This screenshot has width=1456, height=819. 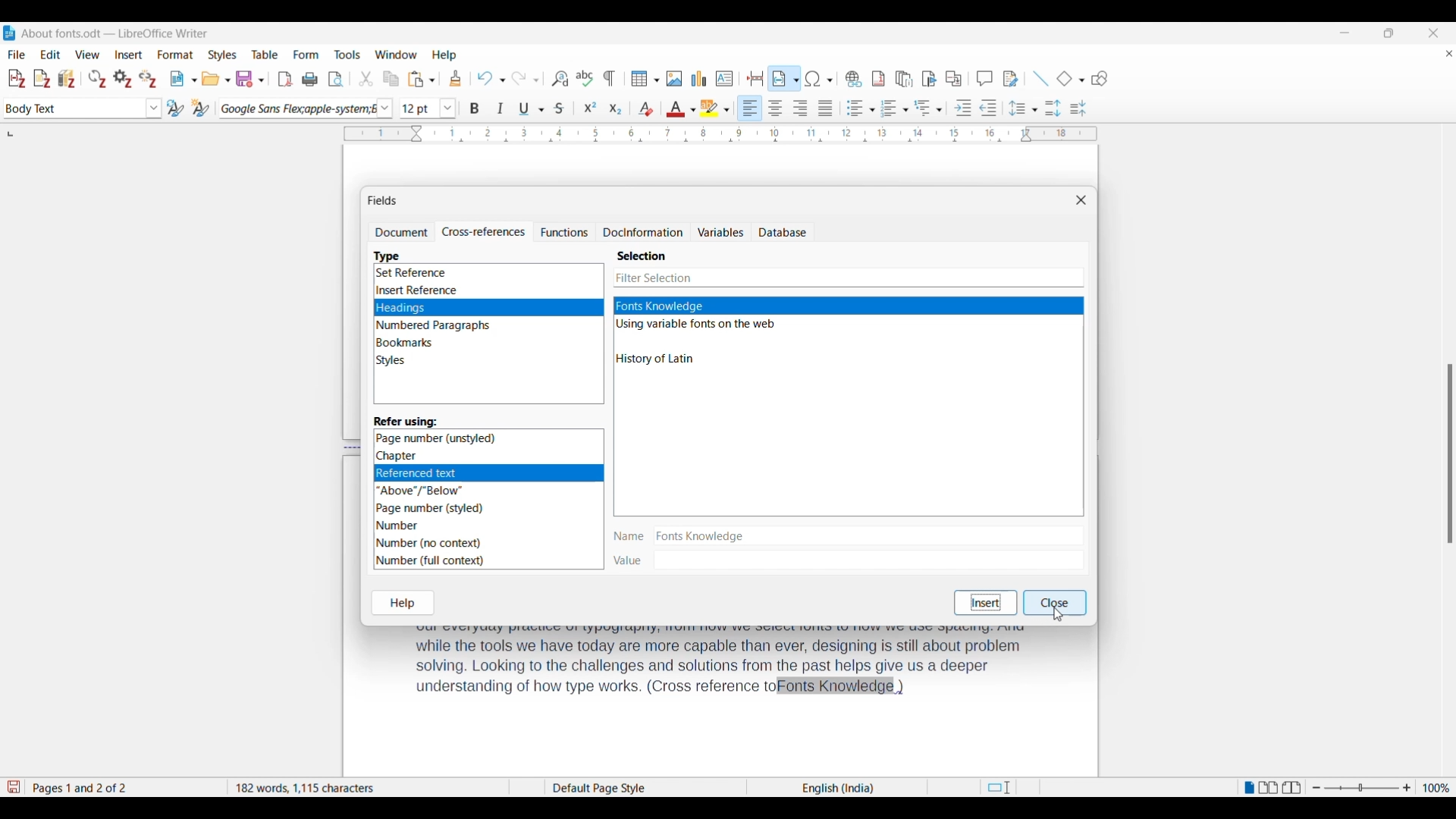 I want to click on single page view, so click(x=1247, y=790).